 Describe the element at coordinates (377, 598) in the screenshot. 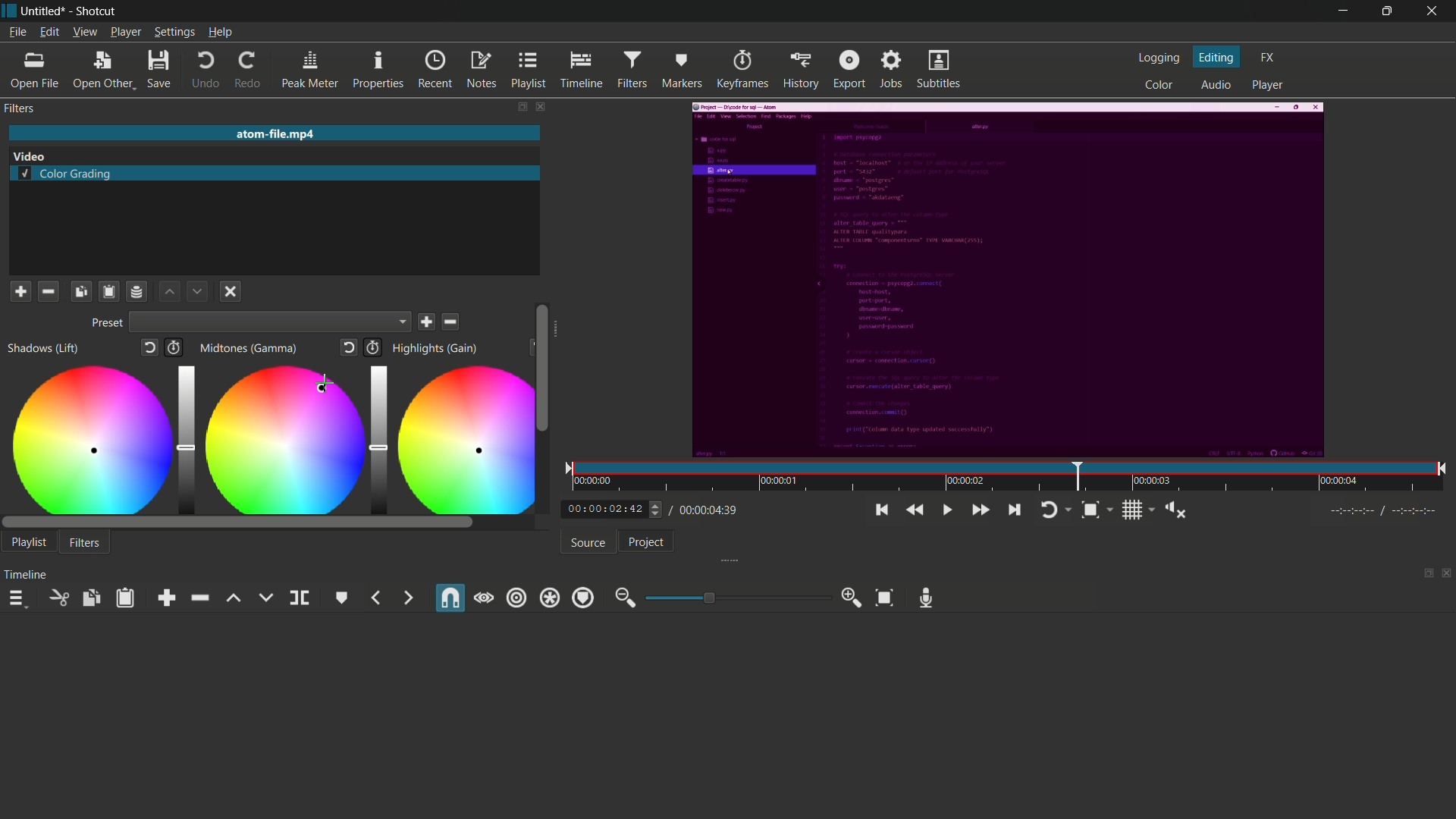

I see `previous marker` at that location.